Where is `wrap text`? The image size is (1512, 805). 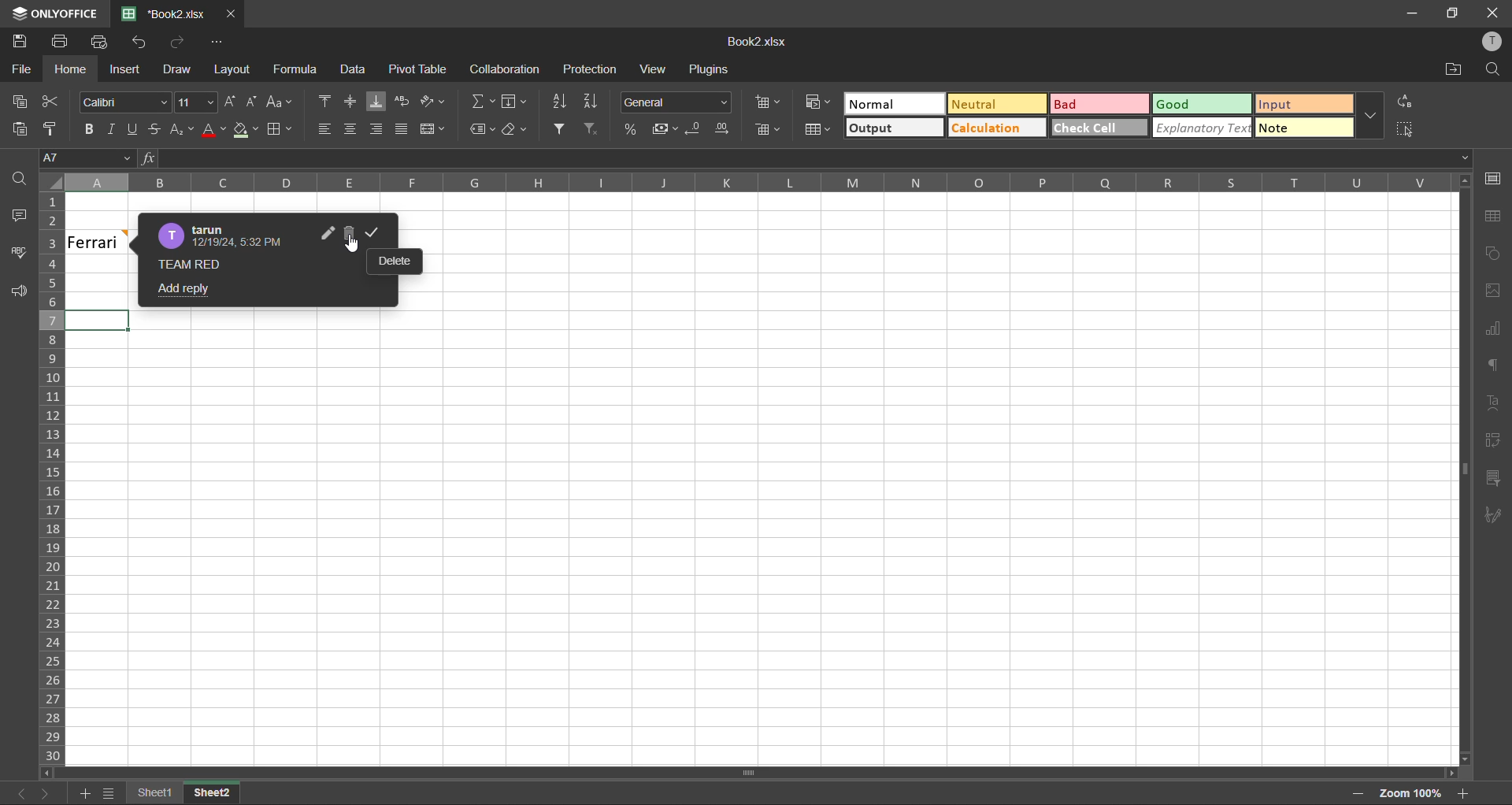
wrap text is located at coordinates (403, 102).